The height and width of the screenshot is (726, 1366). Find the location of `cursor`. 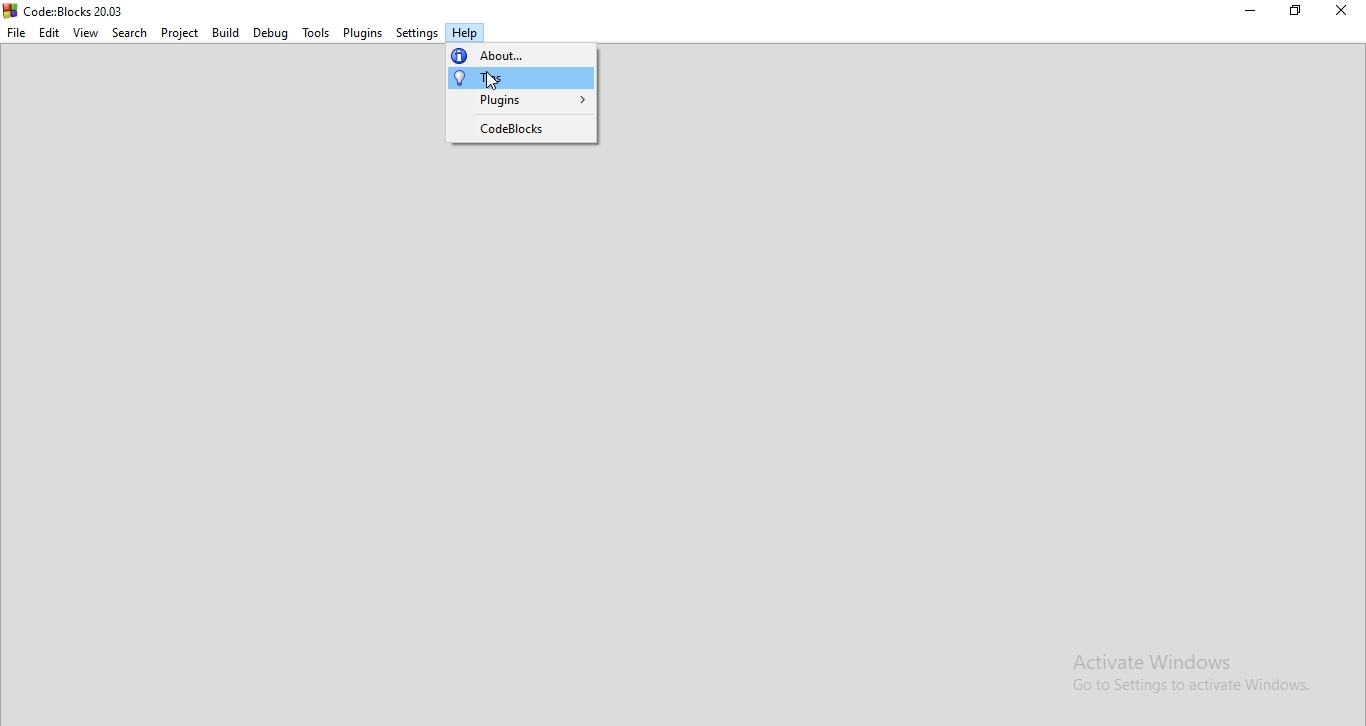

cursor is located at coordinates (494, 82).